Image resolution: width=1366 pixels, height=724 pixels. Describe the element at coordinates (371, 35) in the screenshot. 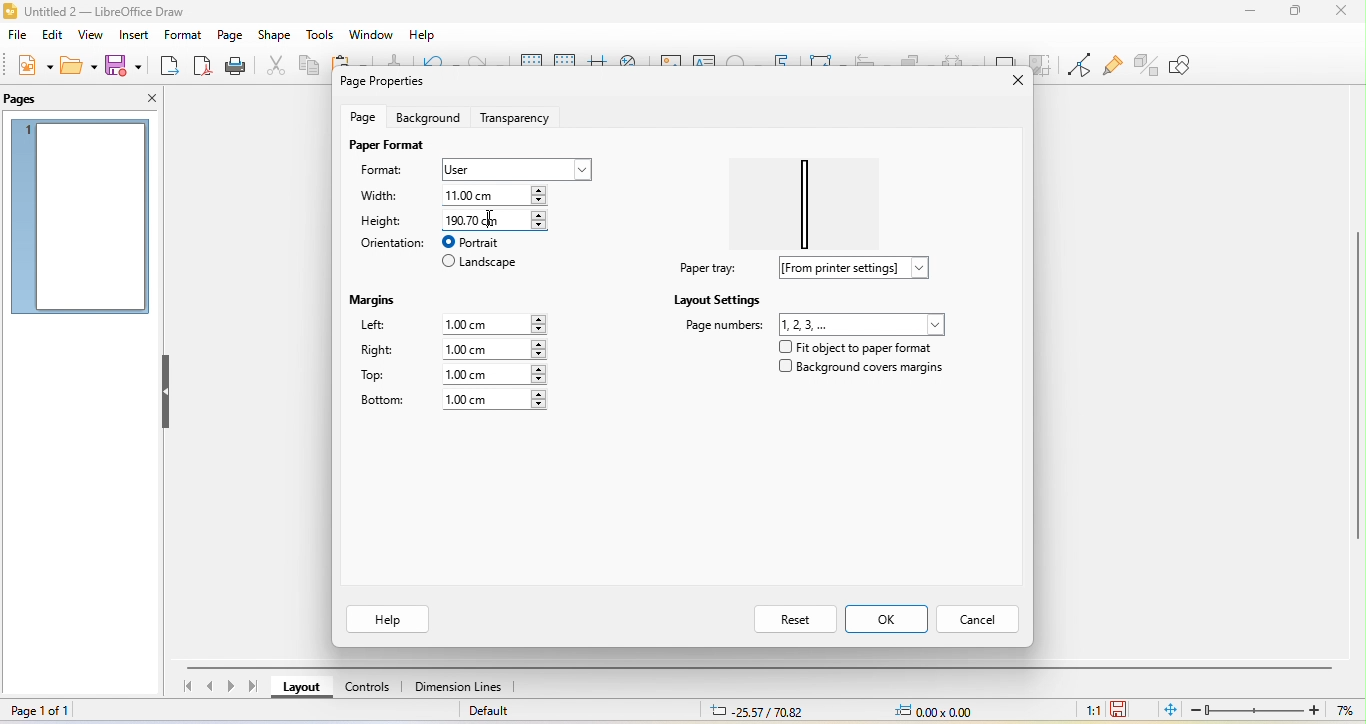

I see `window` at that location.